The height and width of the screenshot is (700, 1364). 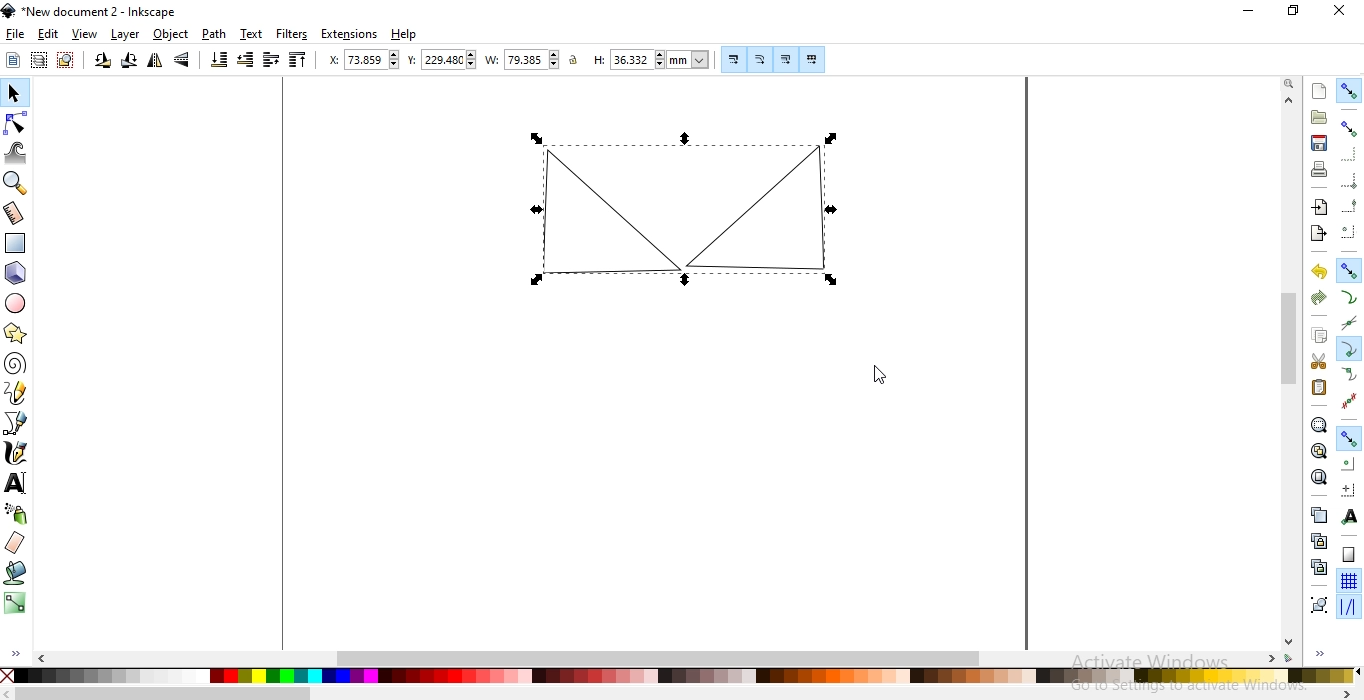 What do you see at coordinates (16, 453) in the screenshot?
I see `draw calligraphic or brush strokes` at bounding box center [16, 453].